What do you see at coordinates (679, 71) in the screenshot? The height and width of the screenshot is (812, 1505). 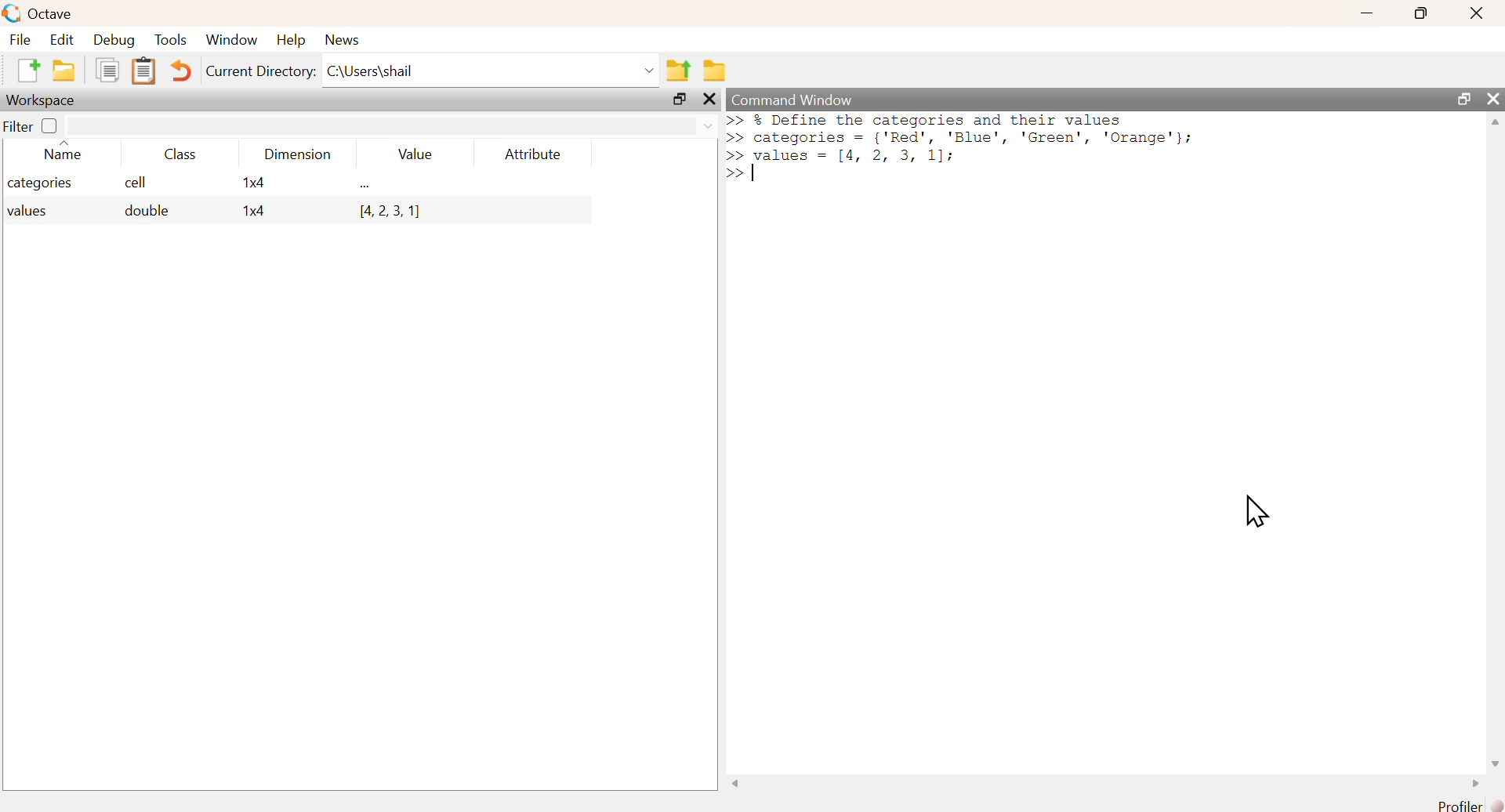 I see `Previous Folder` at bounding box center [679, 71].